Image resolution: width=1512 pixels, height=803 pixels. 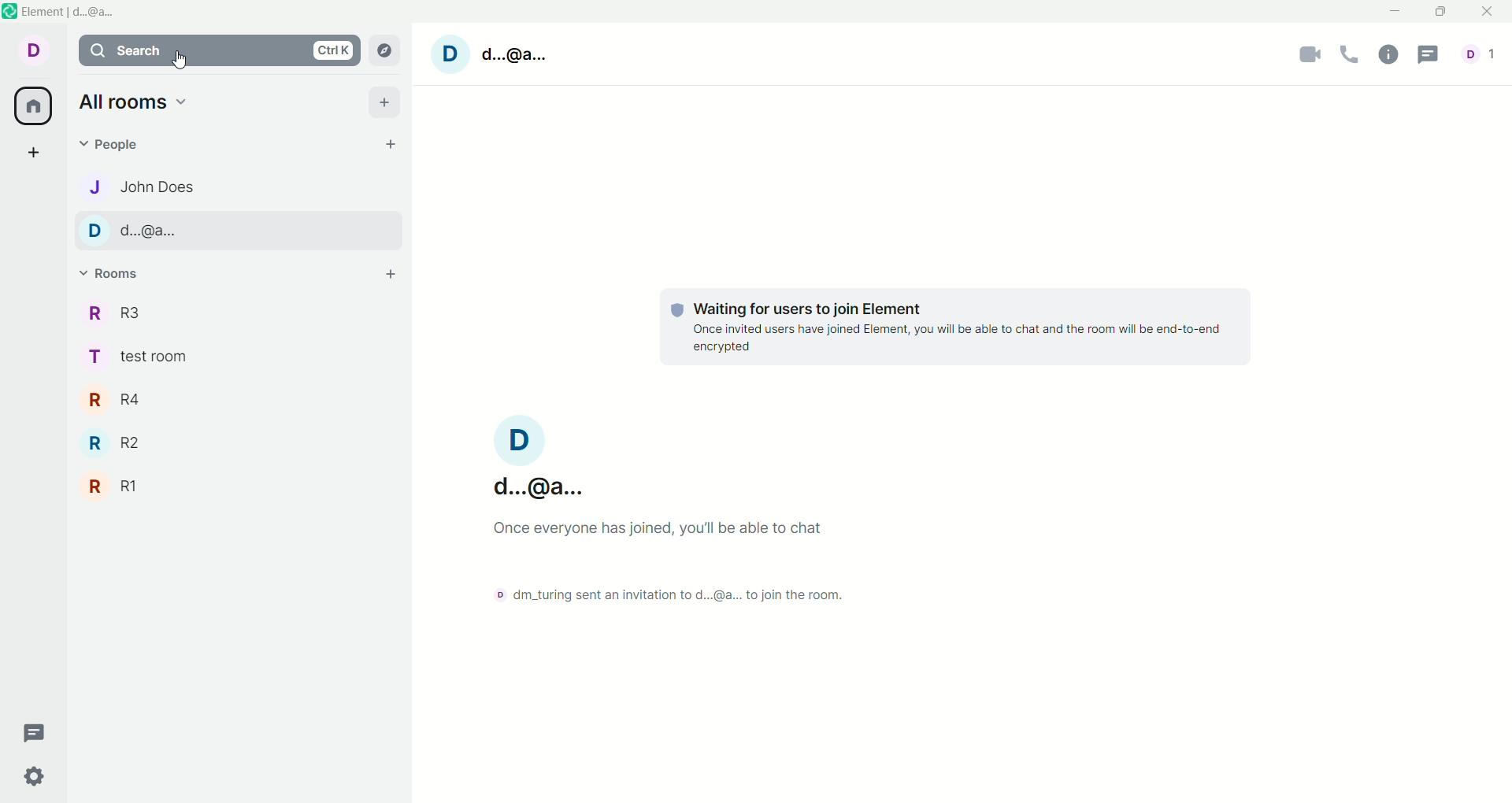 What do you see at coordinates (109, 276) in the screenshot?
I see `rooms` at bounding box center [109, 276].